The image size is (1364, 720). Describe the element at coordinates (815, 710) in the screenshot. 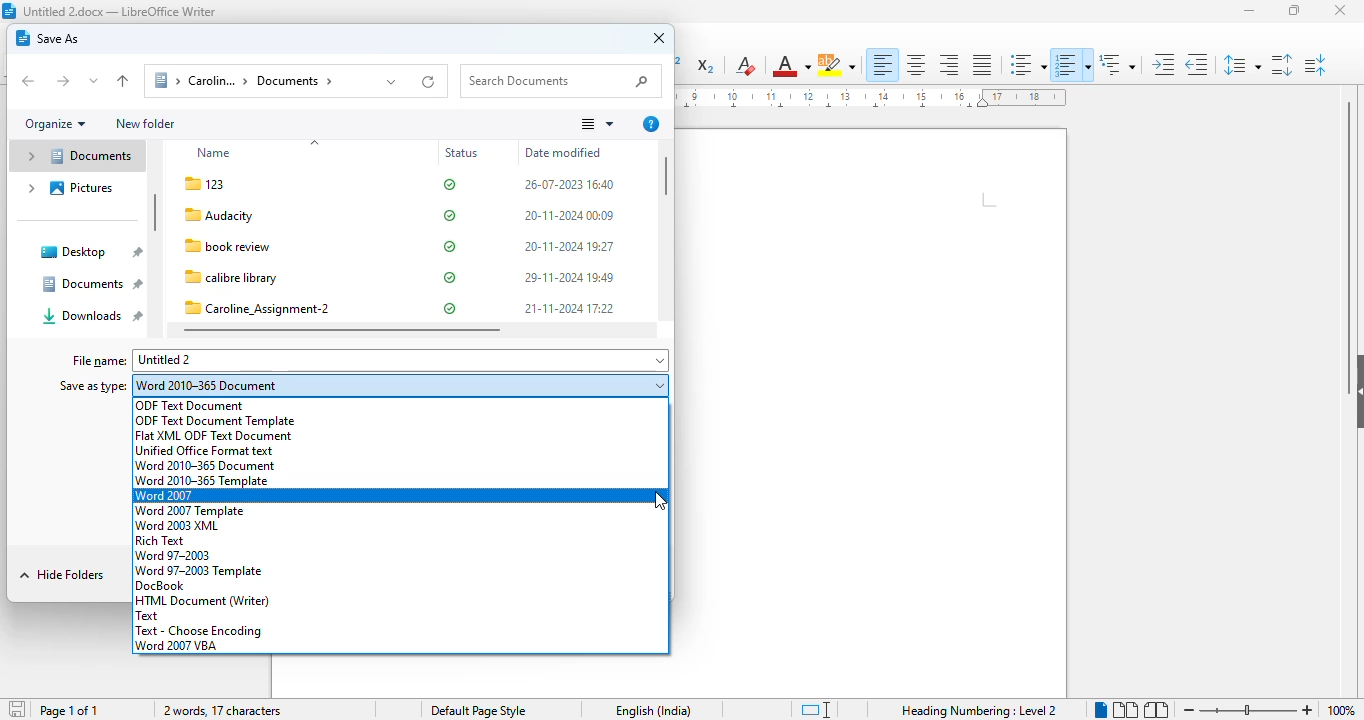

I see `standard selection` at that location.